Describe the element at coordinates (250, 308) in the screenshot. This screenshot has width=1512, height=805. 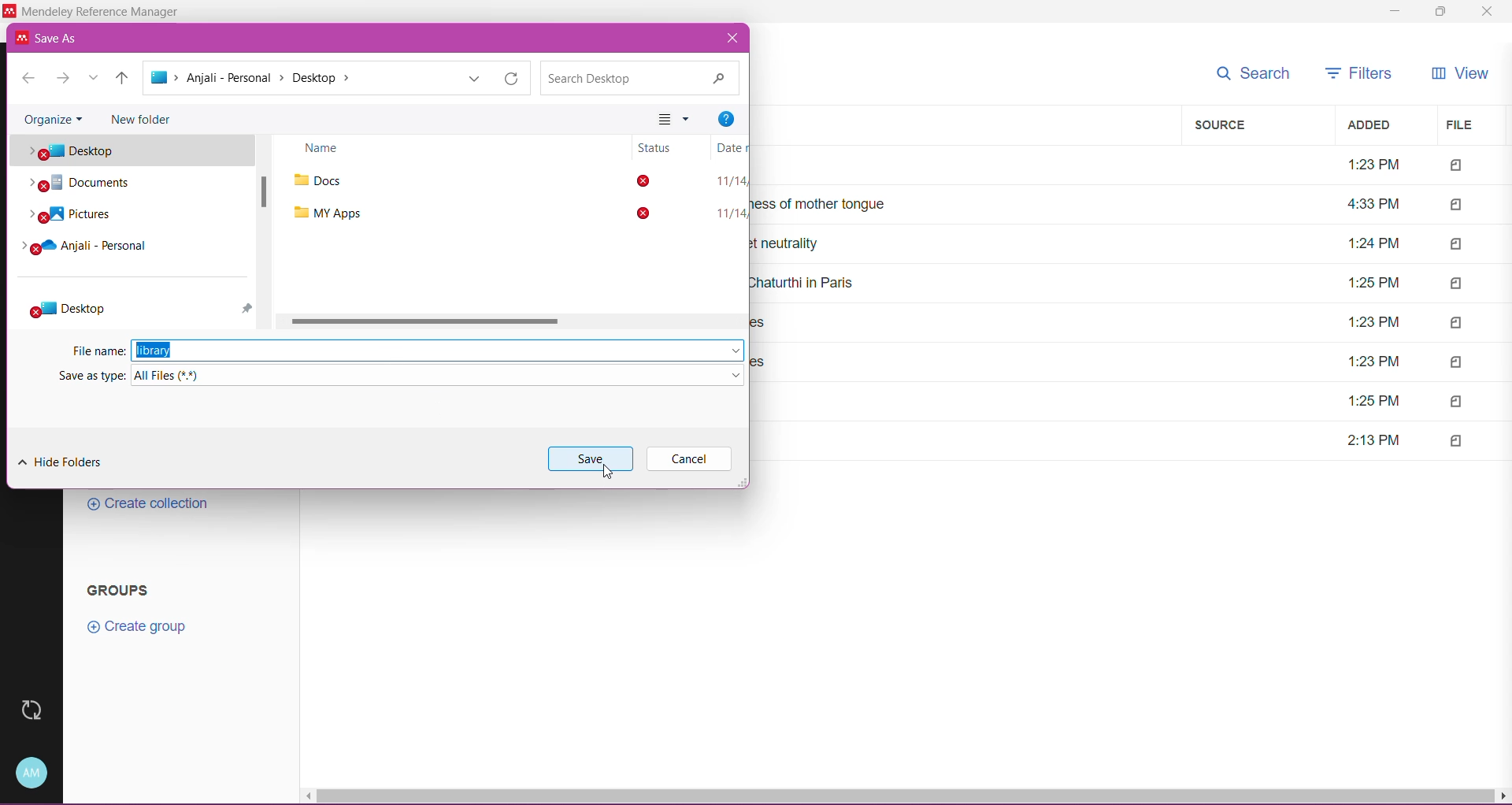
I see `pin` at that location.